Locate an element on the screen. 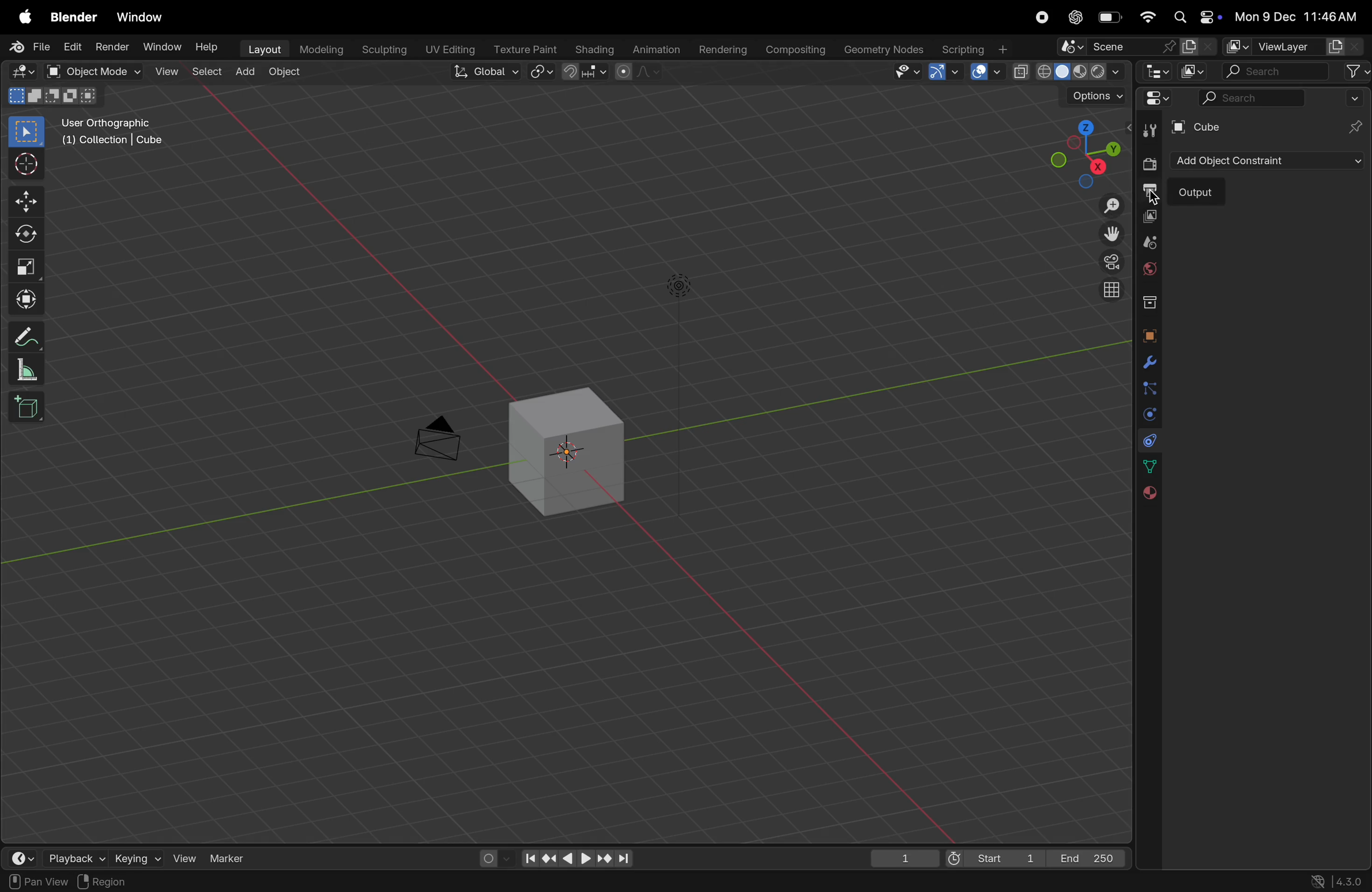 This screenshot has height=892, width=1372. layout is located at coordinates (260, 49).